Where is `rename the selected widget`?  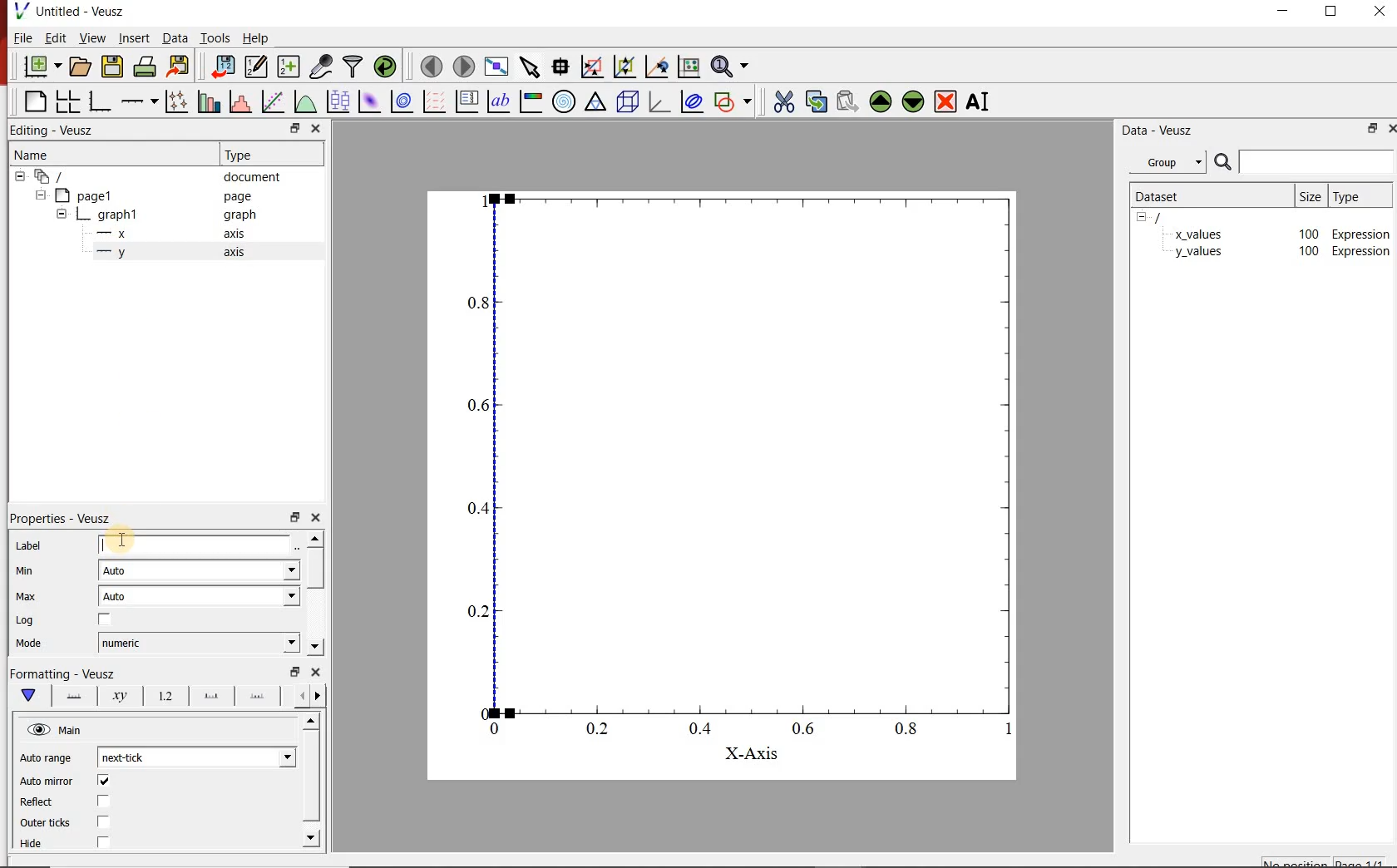 rename the selected widget is located at coordinates (980, 104).